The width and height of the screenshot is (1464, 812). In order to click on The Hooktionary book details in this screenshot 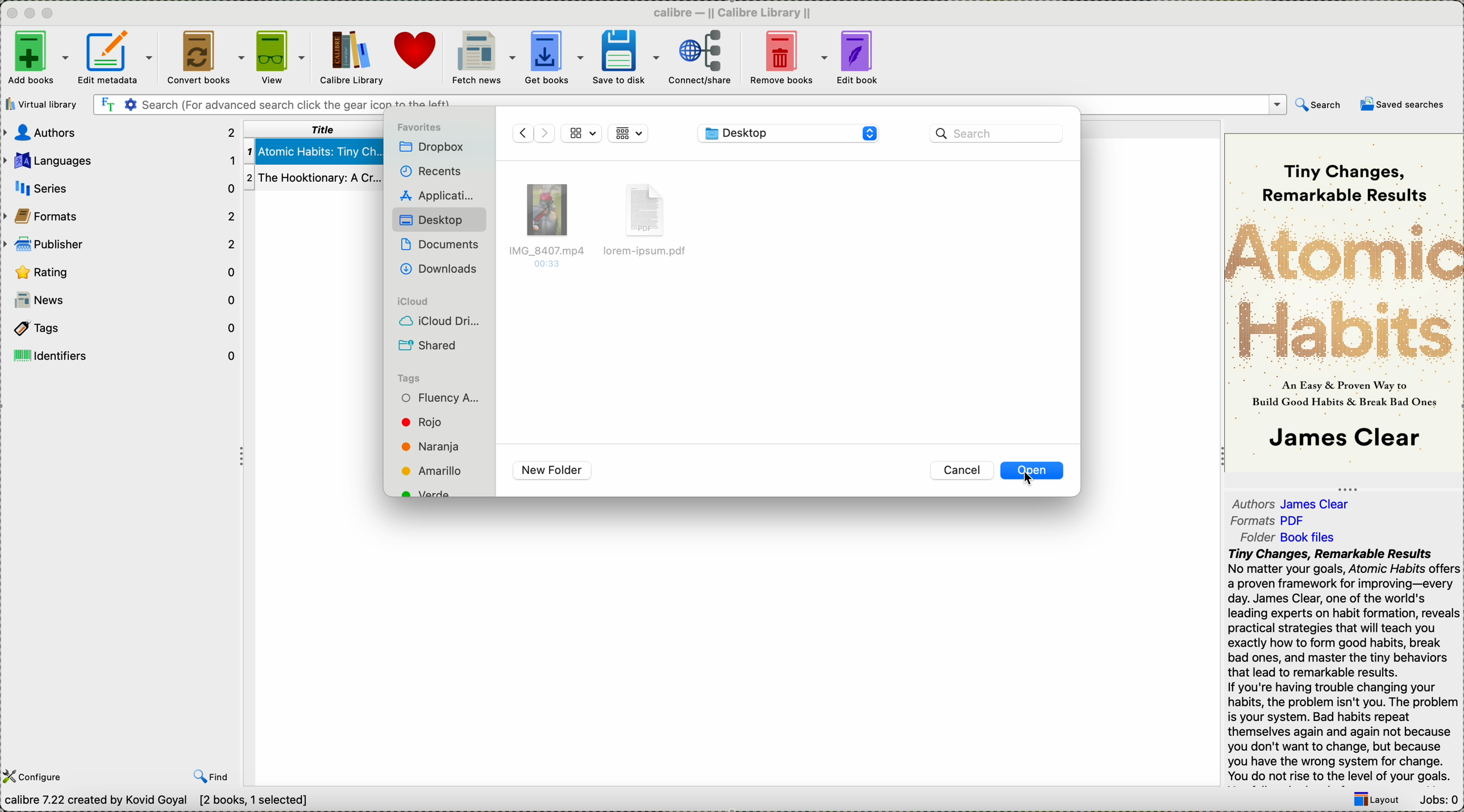, I will do `click(313, 178)`.